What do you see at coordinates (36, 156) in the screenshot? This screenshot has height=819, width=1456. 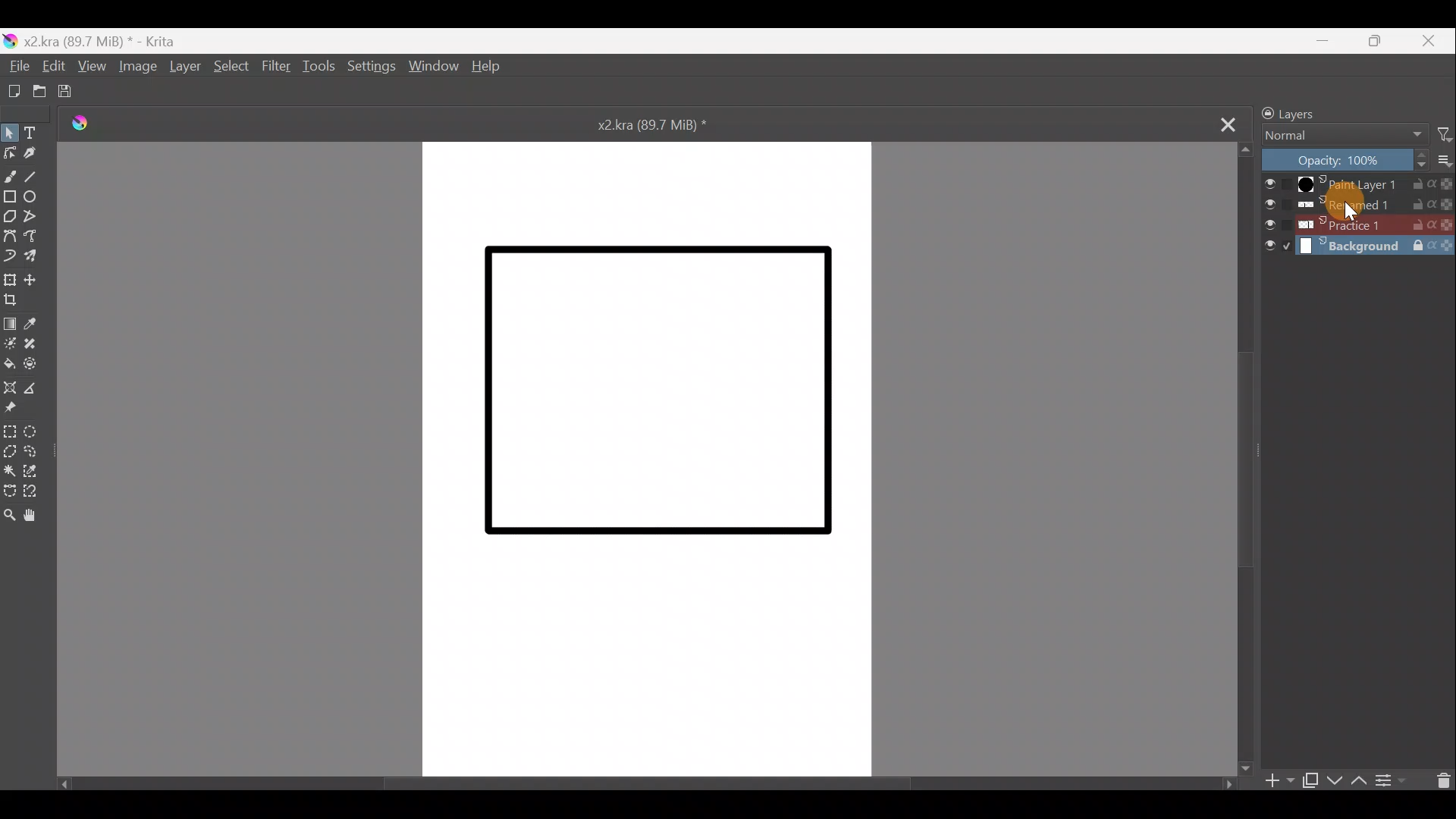 I see `Calligraphy` at bounding box center [36, 156].